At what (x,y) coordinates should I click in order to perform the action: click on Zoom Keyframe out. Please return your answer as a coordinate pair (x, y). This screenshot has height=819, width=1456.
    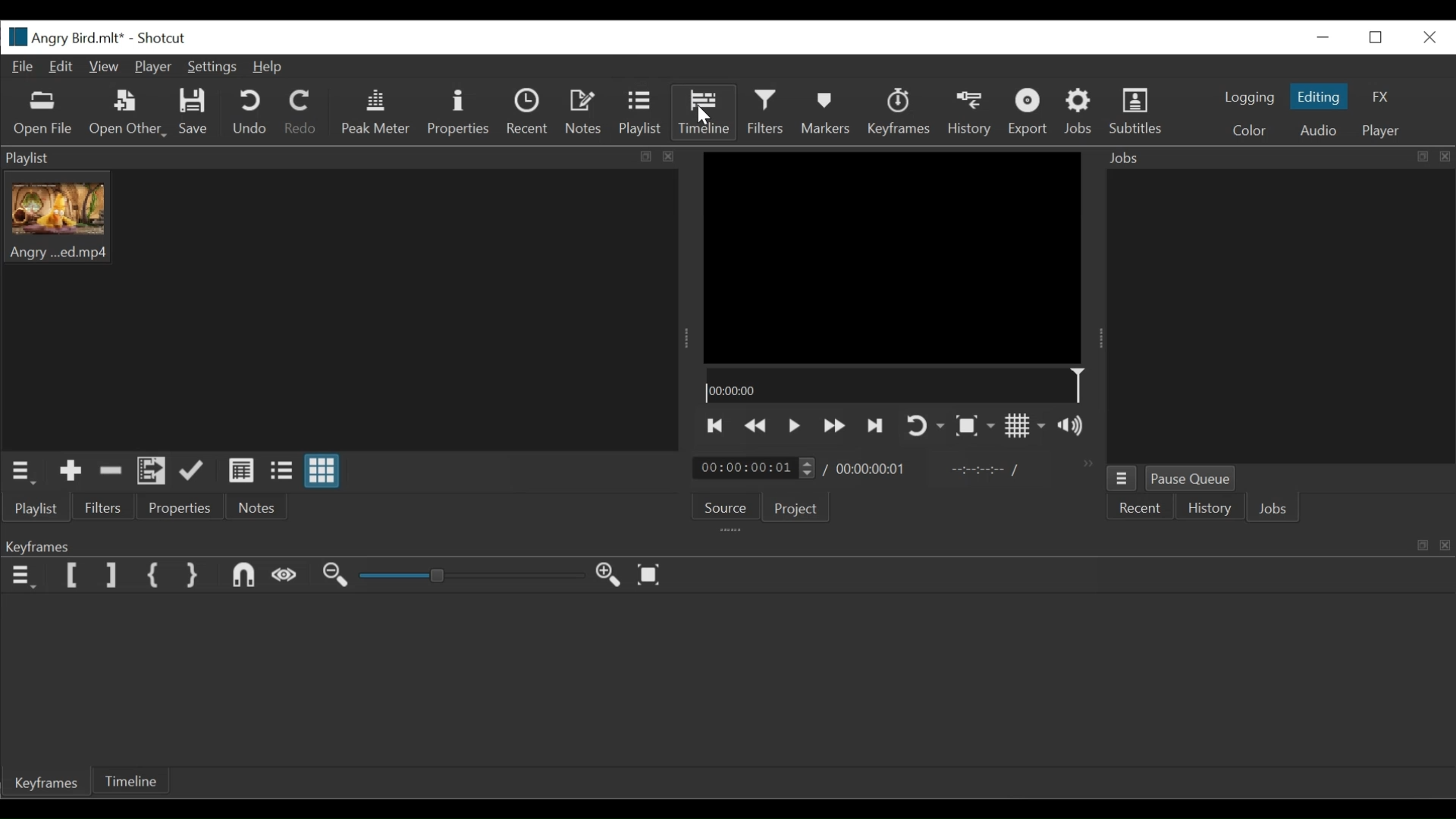
    Looking at the image, I should click on (336, 576).